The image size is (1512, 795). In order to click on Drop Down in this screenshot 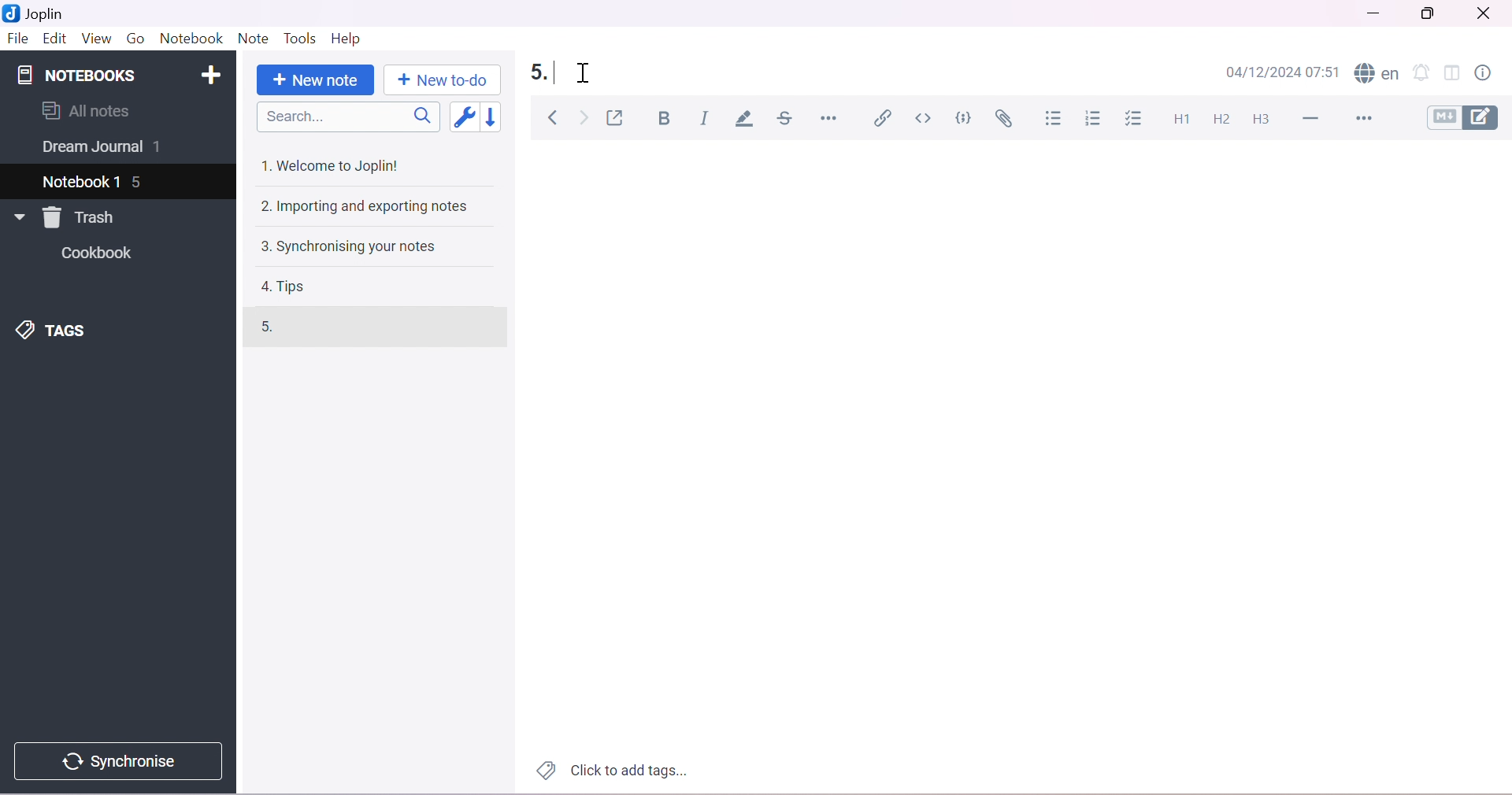, I will do `click(16, 217)`.